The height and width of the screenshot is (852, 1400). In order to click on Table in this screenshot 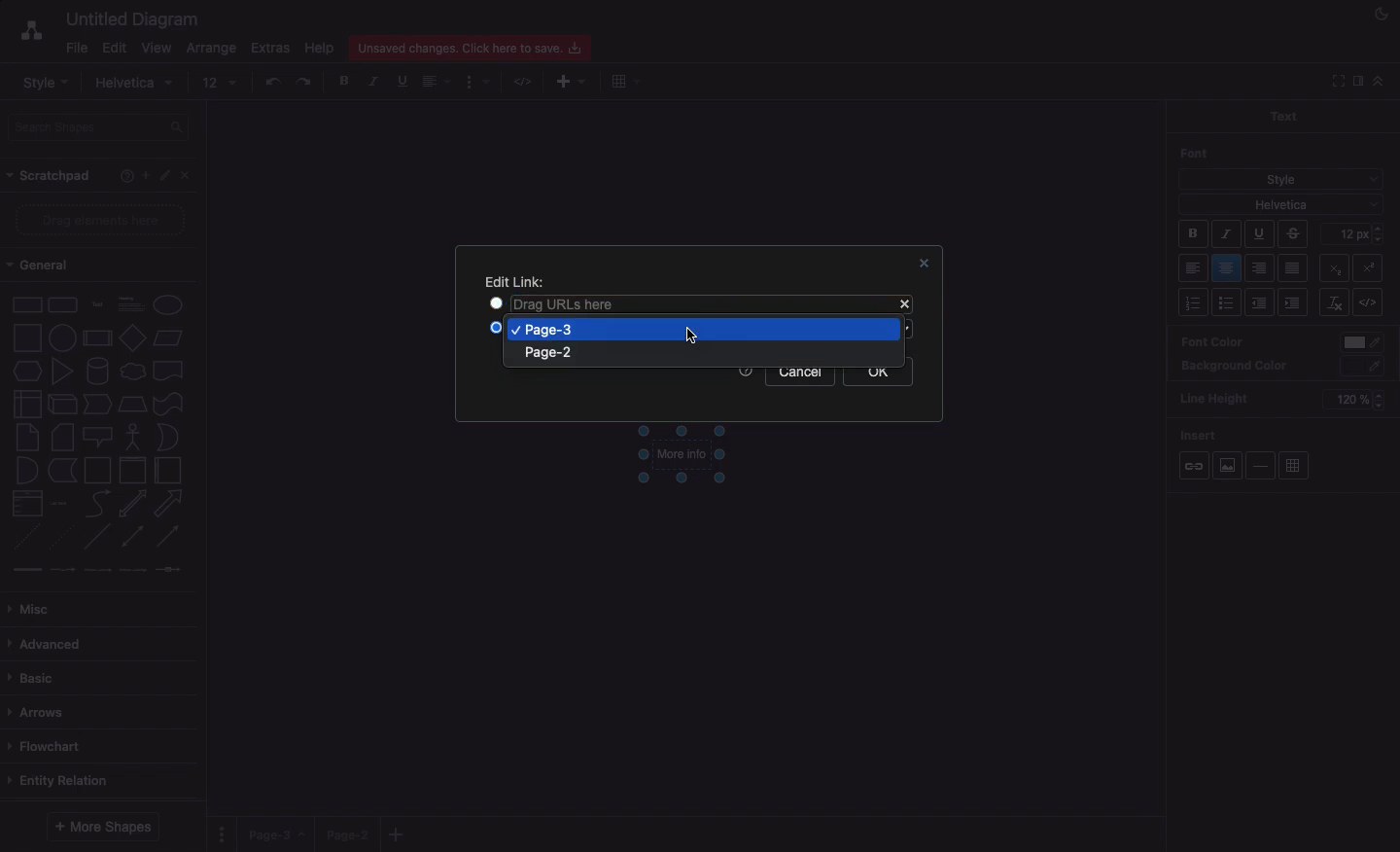, I will do `click(1294, 467)`.